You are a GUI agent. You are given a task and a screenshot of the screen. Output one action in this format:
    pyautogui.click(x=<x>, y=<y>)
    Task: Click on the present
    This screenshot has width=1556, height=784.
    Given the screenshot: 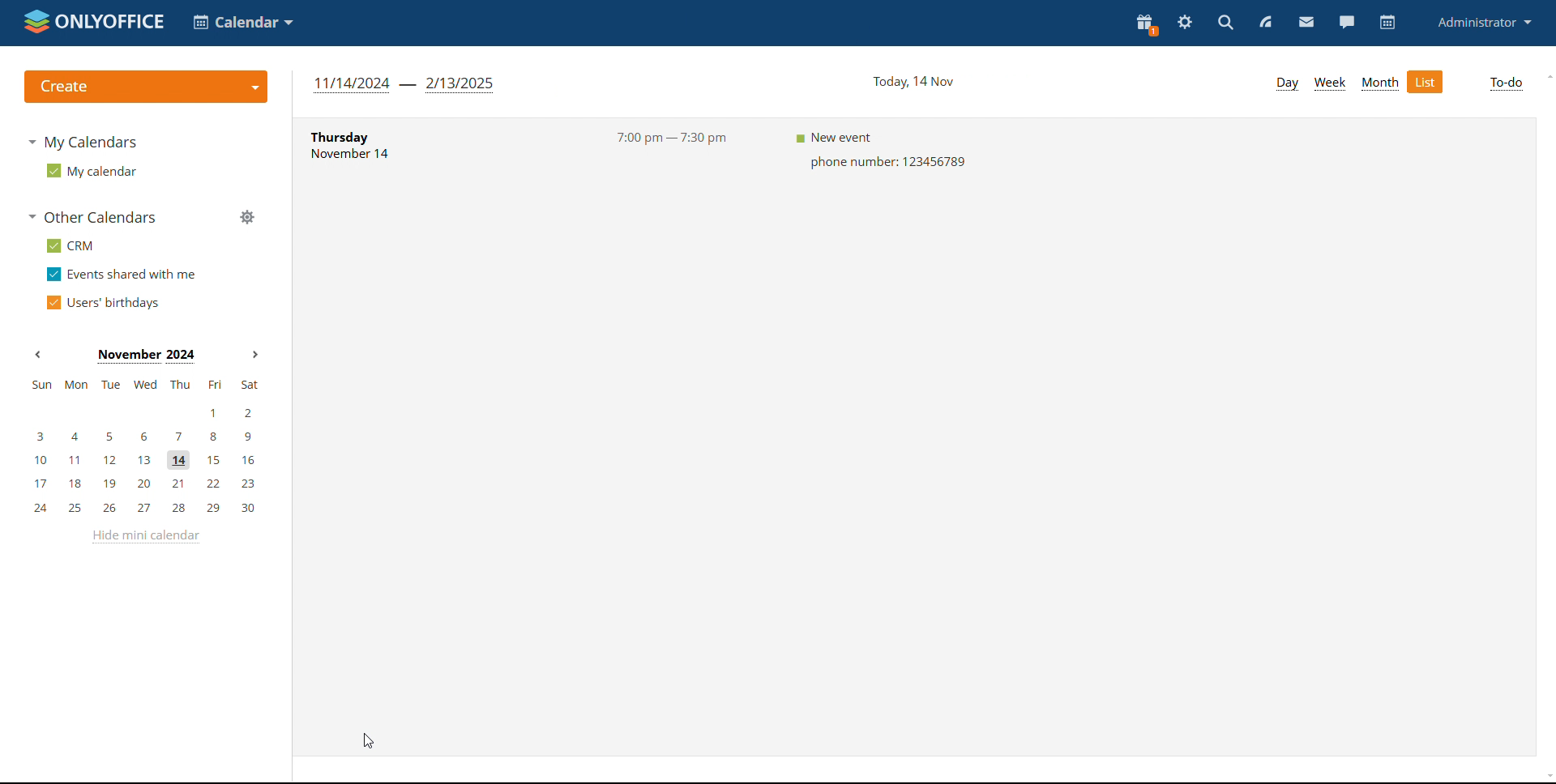 What is the action you would take?
    pyautogui.click(x=1145, y=24)
    